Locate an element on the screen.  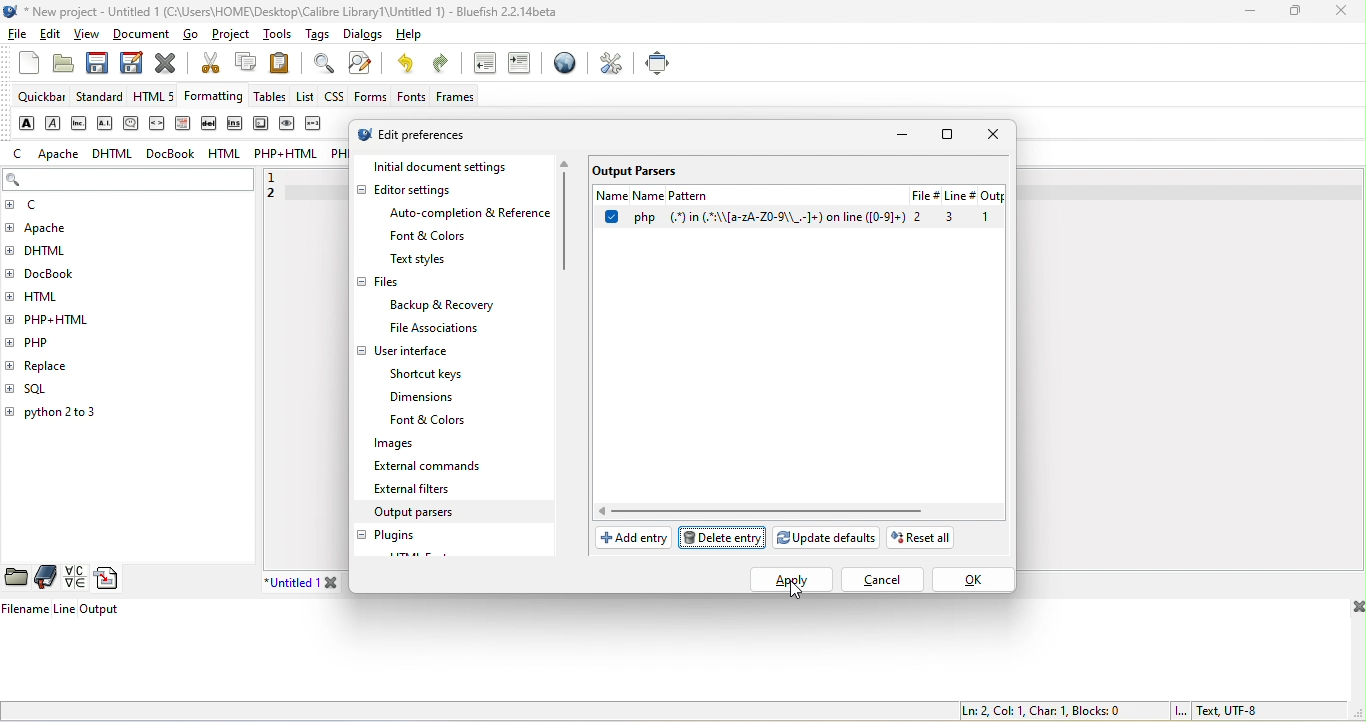
search bar is located at coordinates (128, 181).